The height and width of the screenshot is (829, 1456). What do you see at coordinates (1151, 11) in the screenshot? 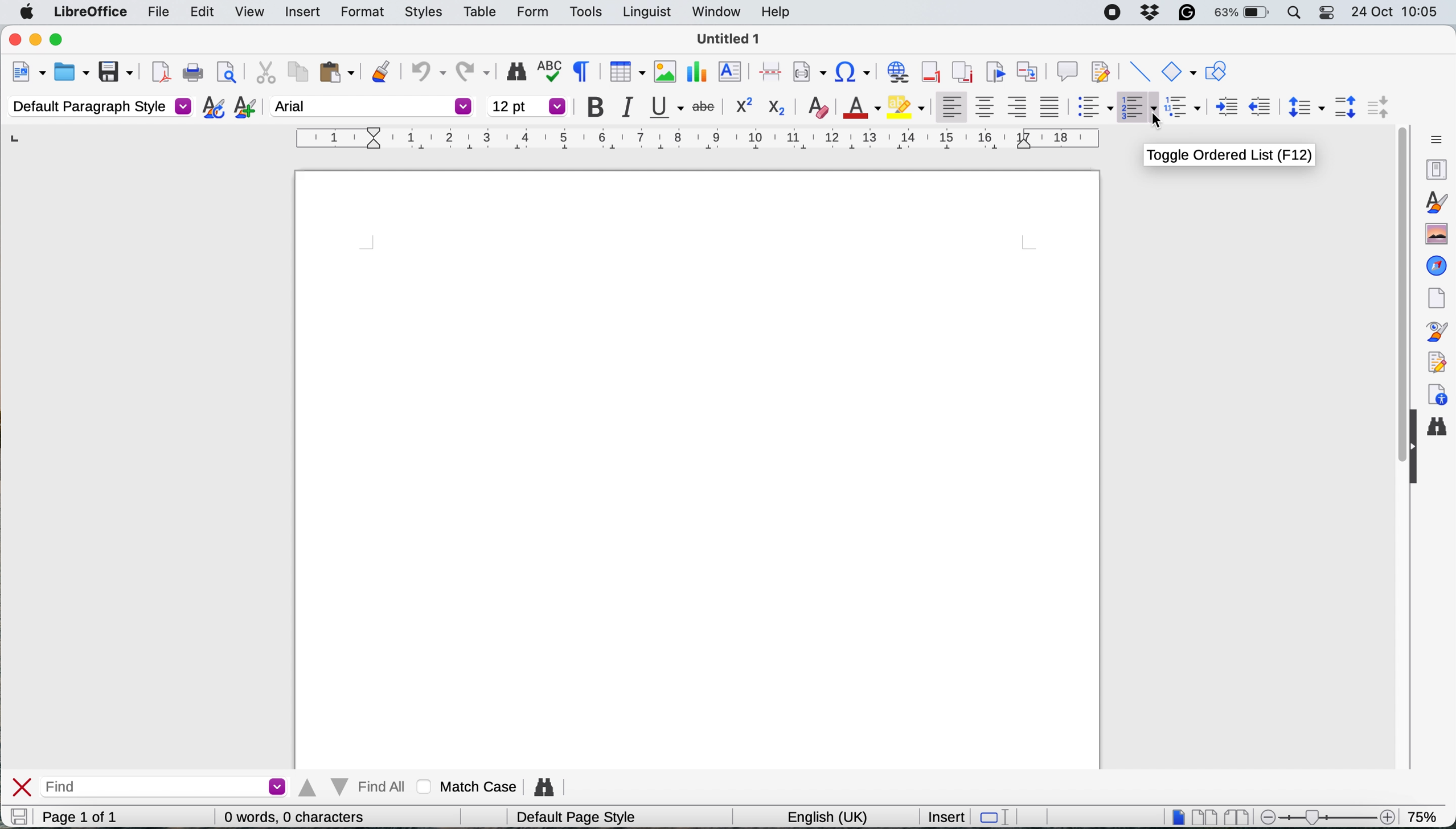
I see `dropbox` at bounding box center [1151, 11].